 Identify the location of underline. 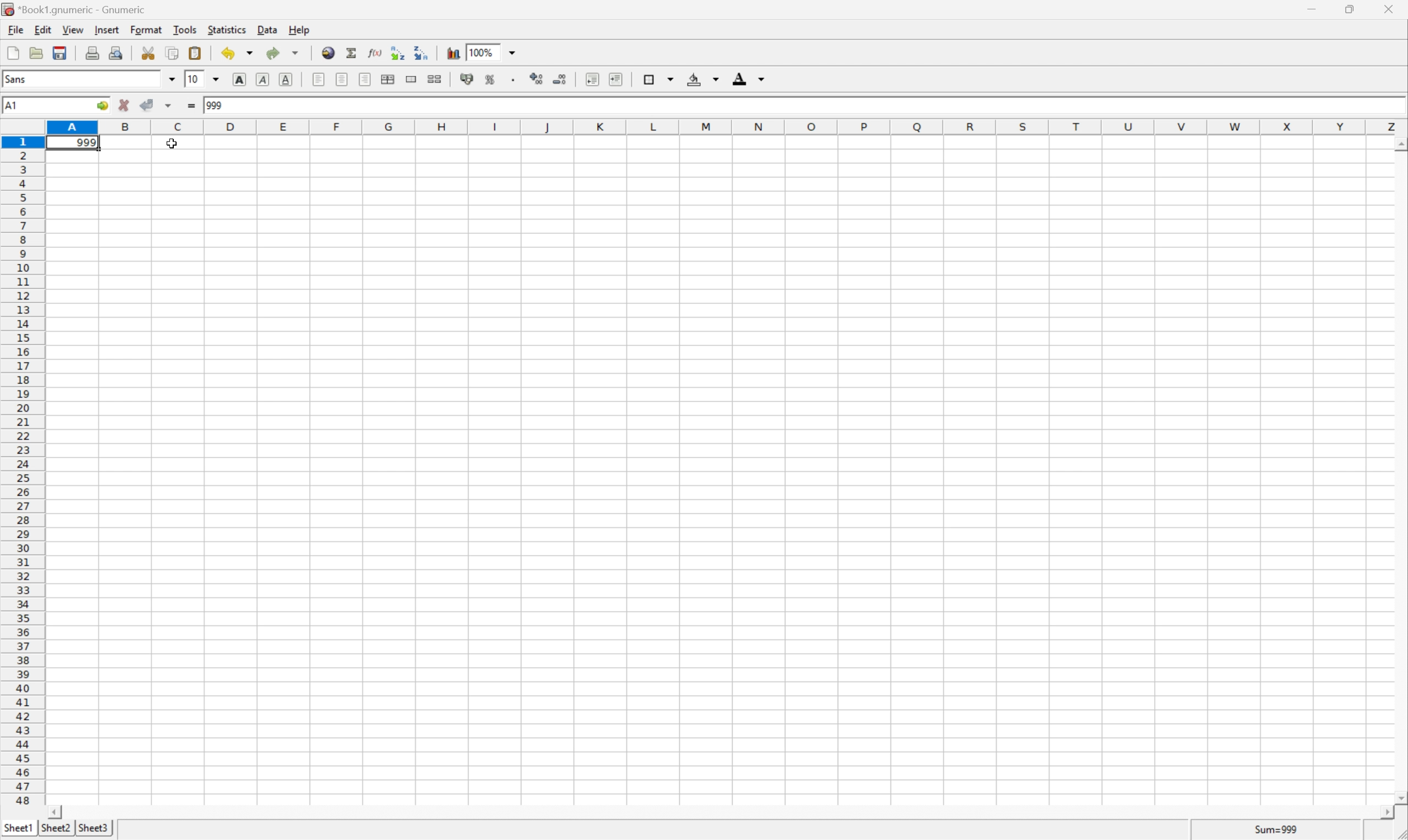
(285, 78).